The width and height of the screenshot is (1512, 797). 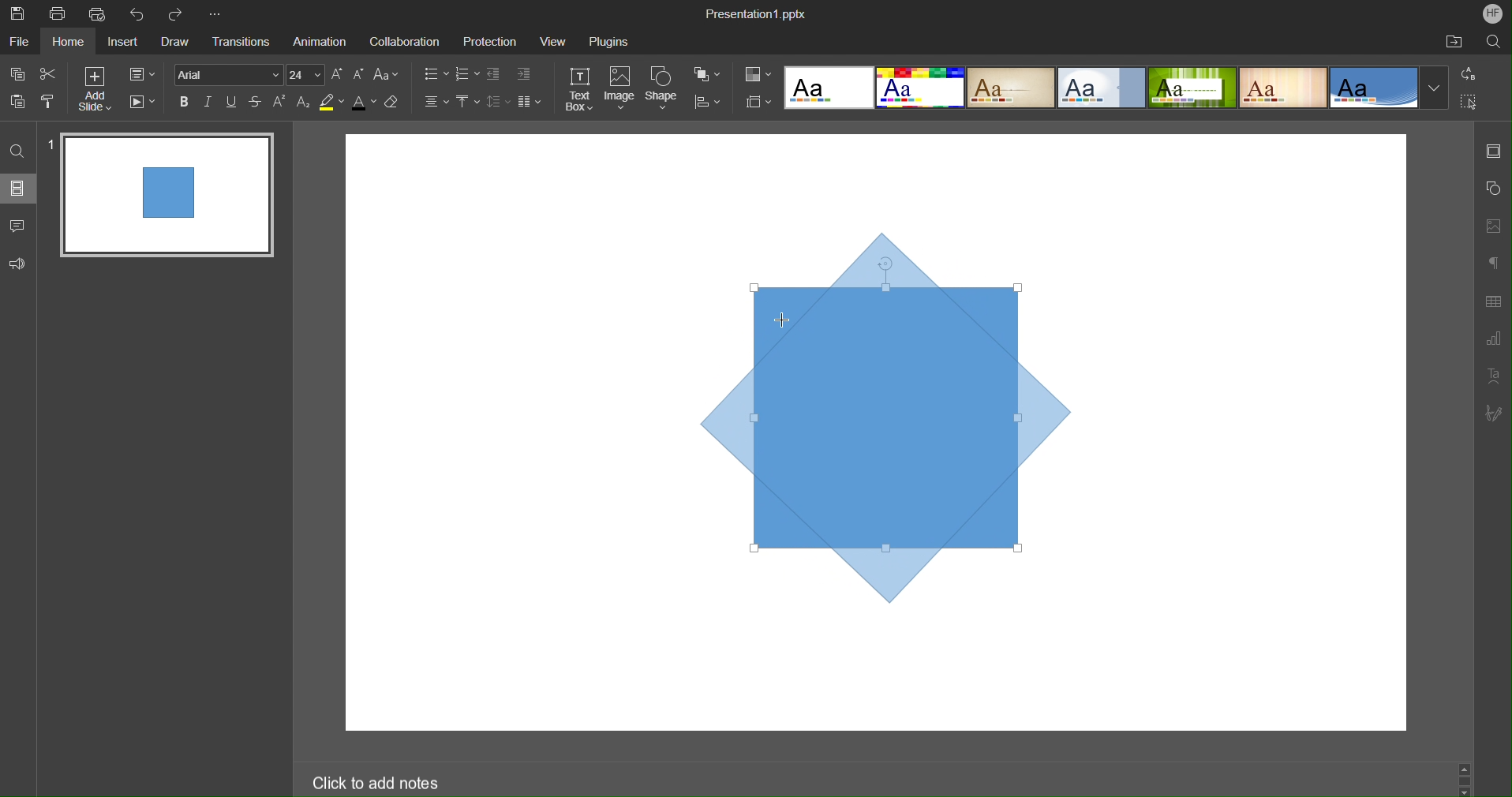 I want to click on Animation, so click(x=318, y=39).